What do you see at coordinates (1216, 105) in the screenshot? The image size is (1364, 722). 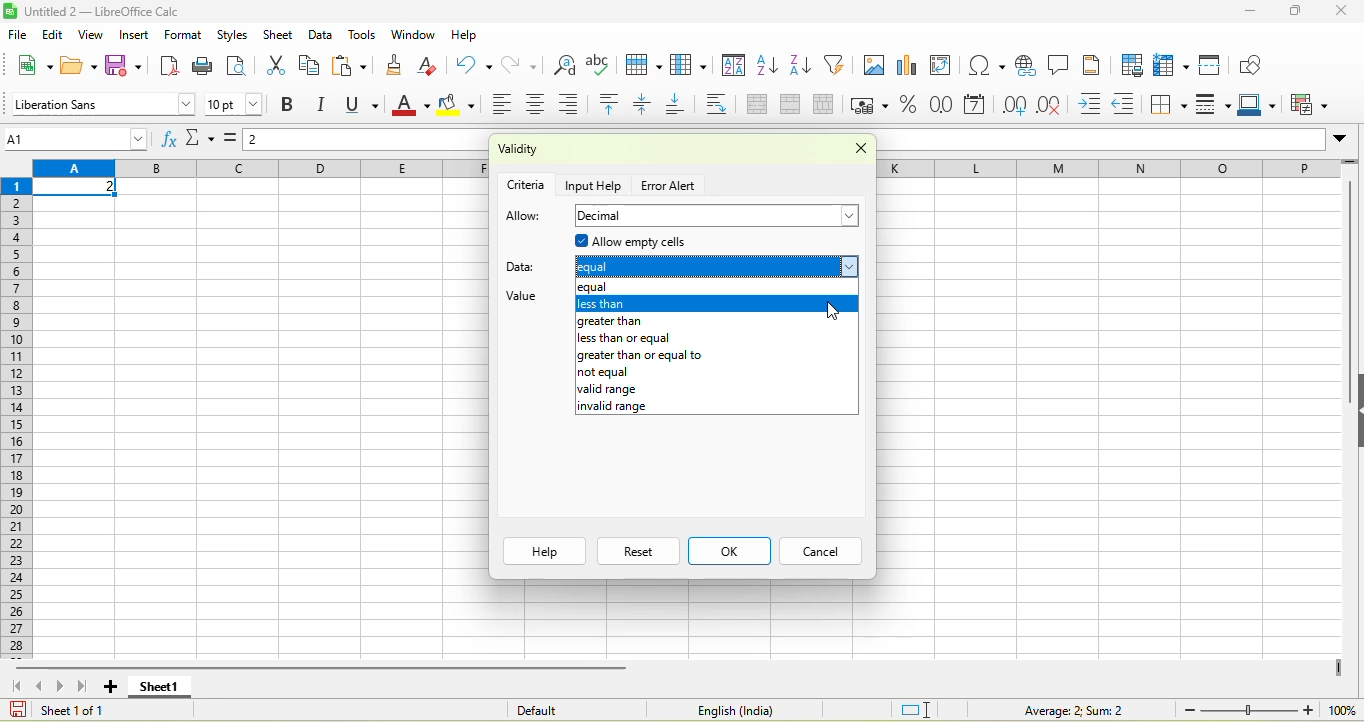 I see `border style` at bounding box center [1216, 105].